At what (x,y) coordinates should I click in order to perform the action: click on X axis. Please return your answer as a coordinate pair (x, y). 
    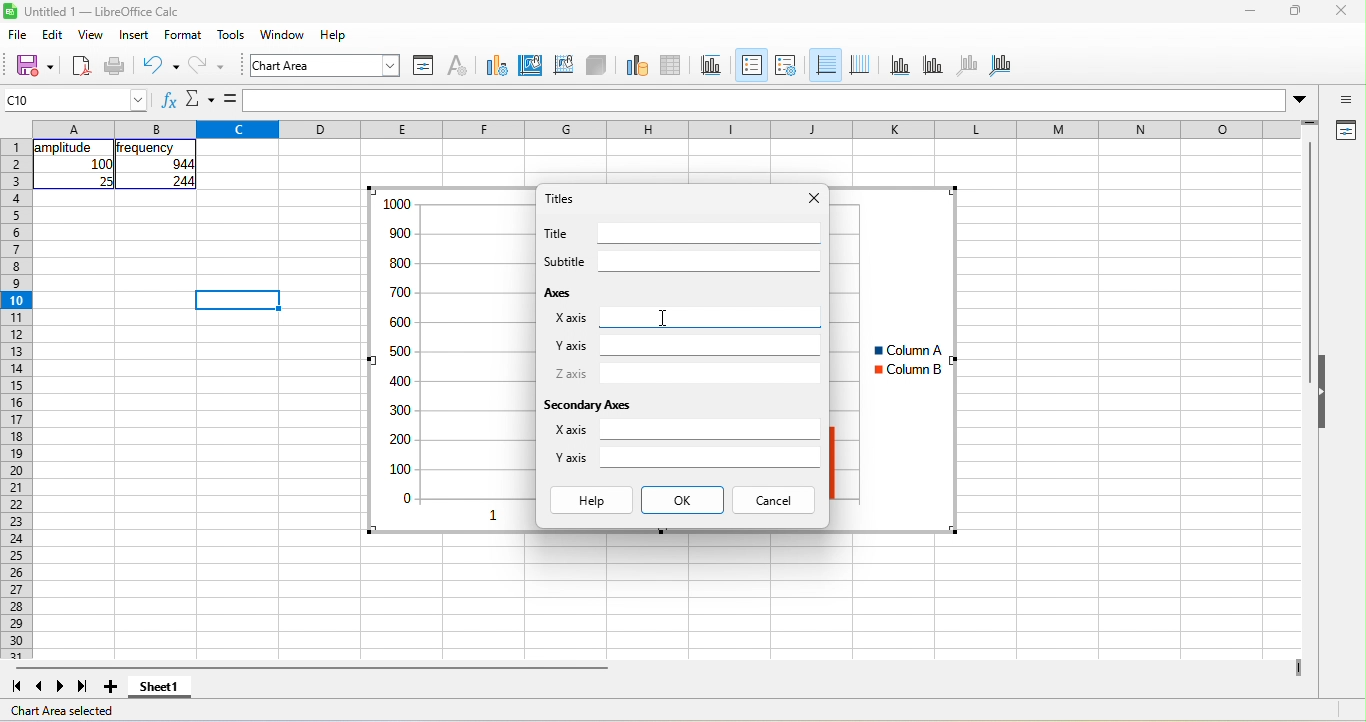
    Looking at the image, I should click on (570, 429).